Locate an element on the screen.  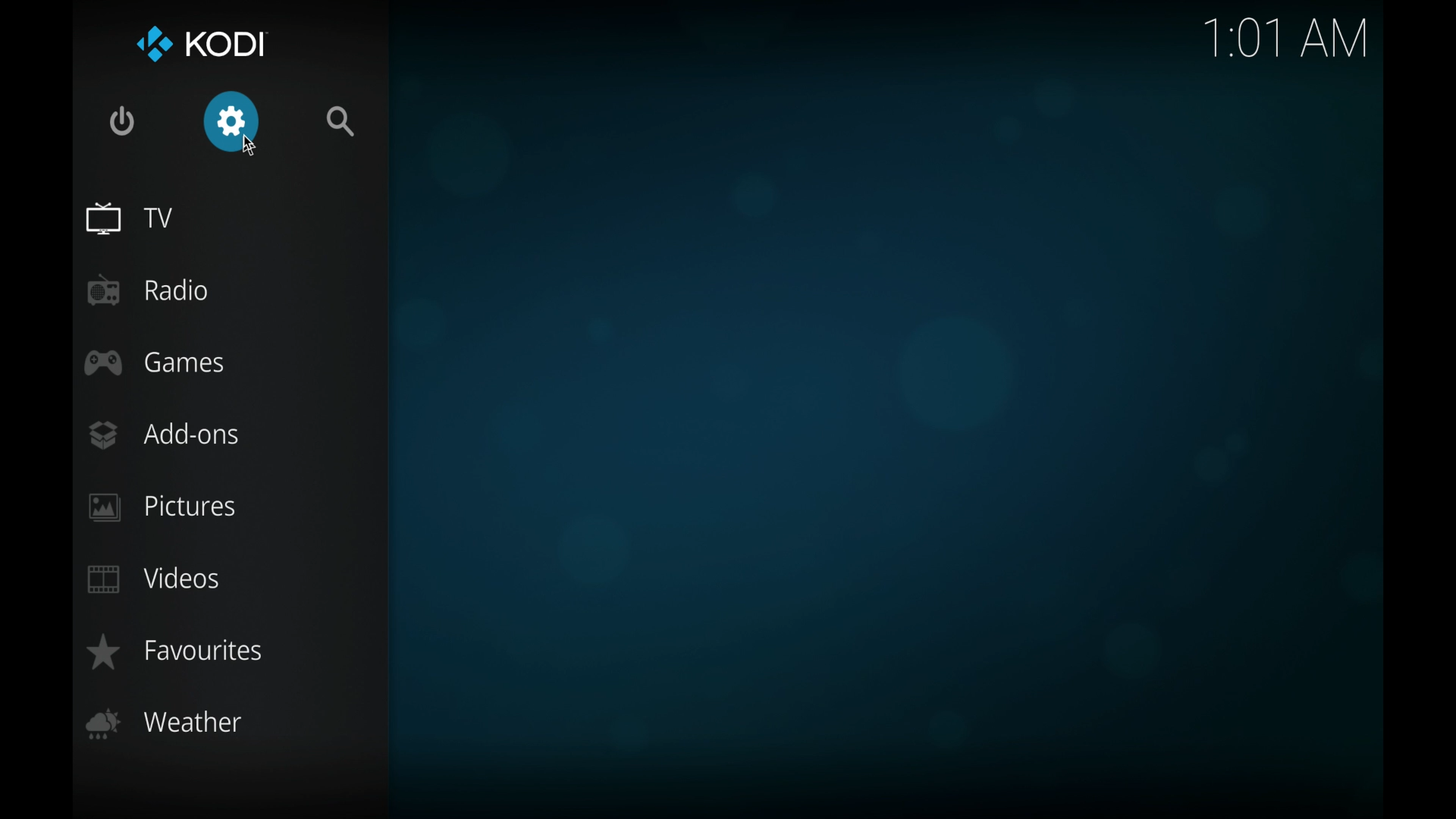
1.01 AM is located at coordinates (1287, 41).